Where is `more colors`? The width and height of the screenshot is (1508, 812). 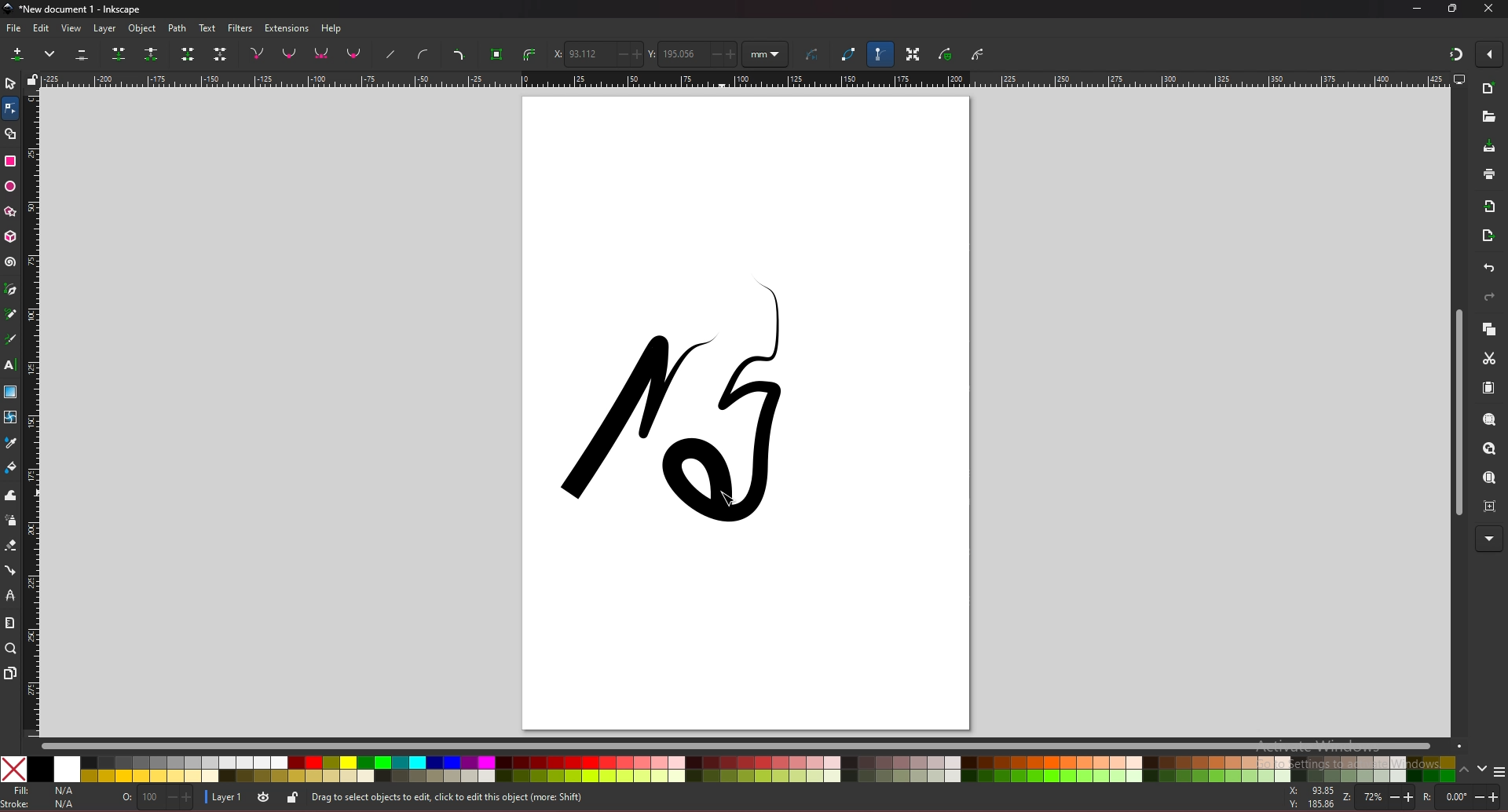
more colors is located at coordinates (1499, 770).